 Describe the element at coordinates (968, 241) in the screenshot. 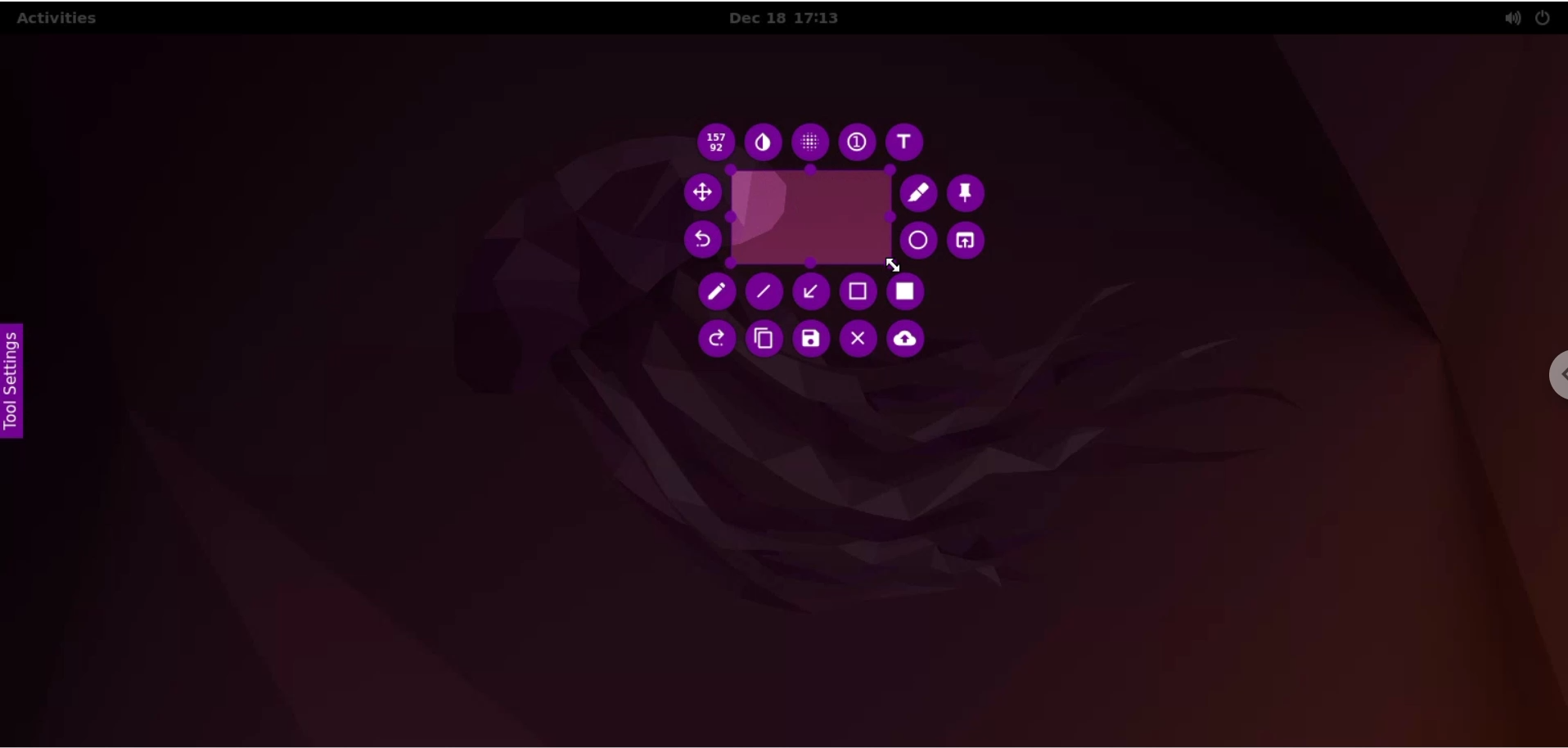

I see `choose an app to open` at that location.